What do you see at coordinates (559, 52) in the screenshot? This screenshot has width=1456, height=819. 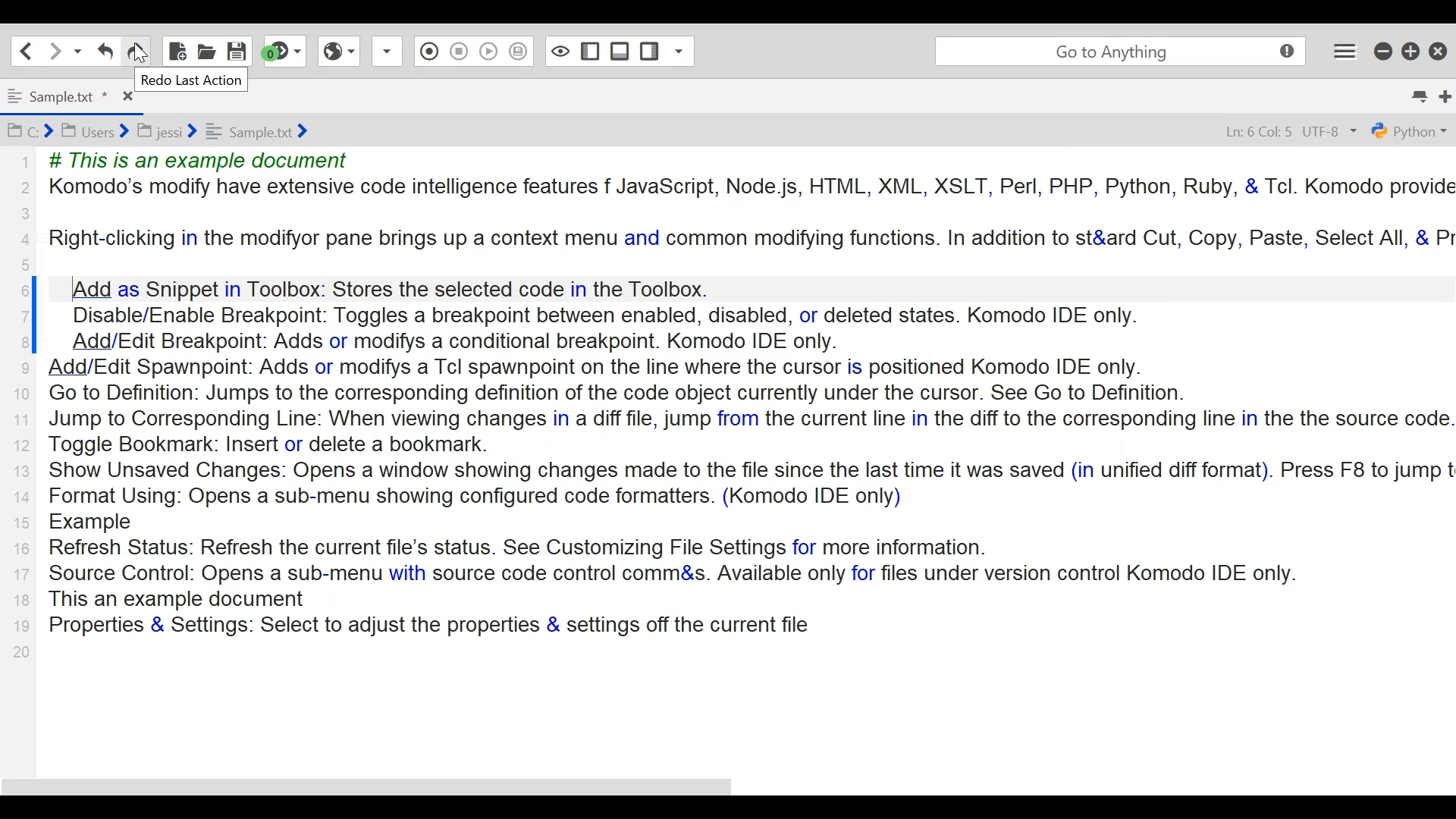 I see `Toggle Focus mode` at bounding box center [559, 52].